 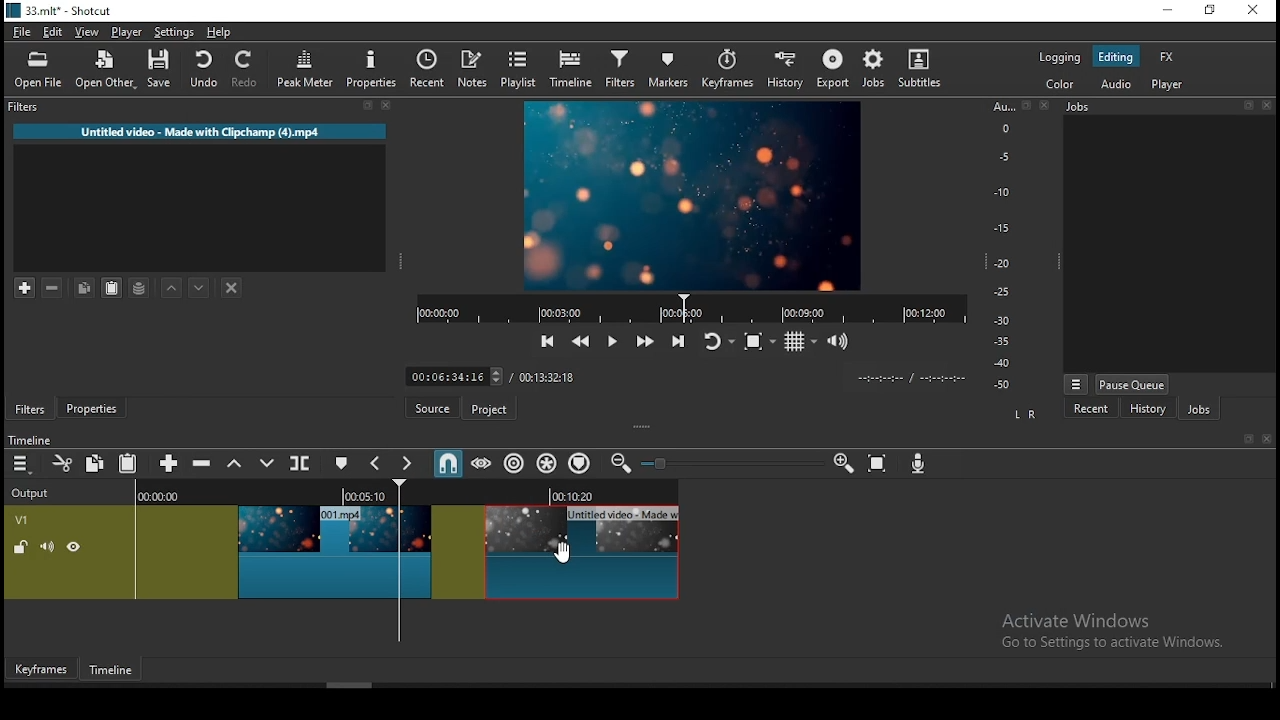 I want to click on Activate windows, so click(x=1122, y=630).